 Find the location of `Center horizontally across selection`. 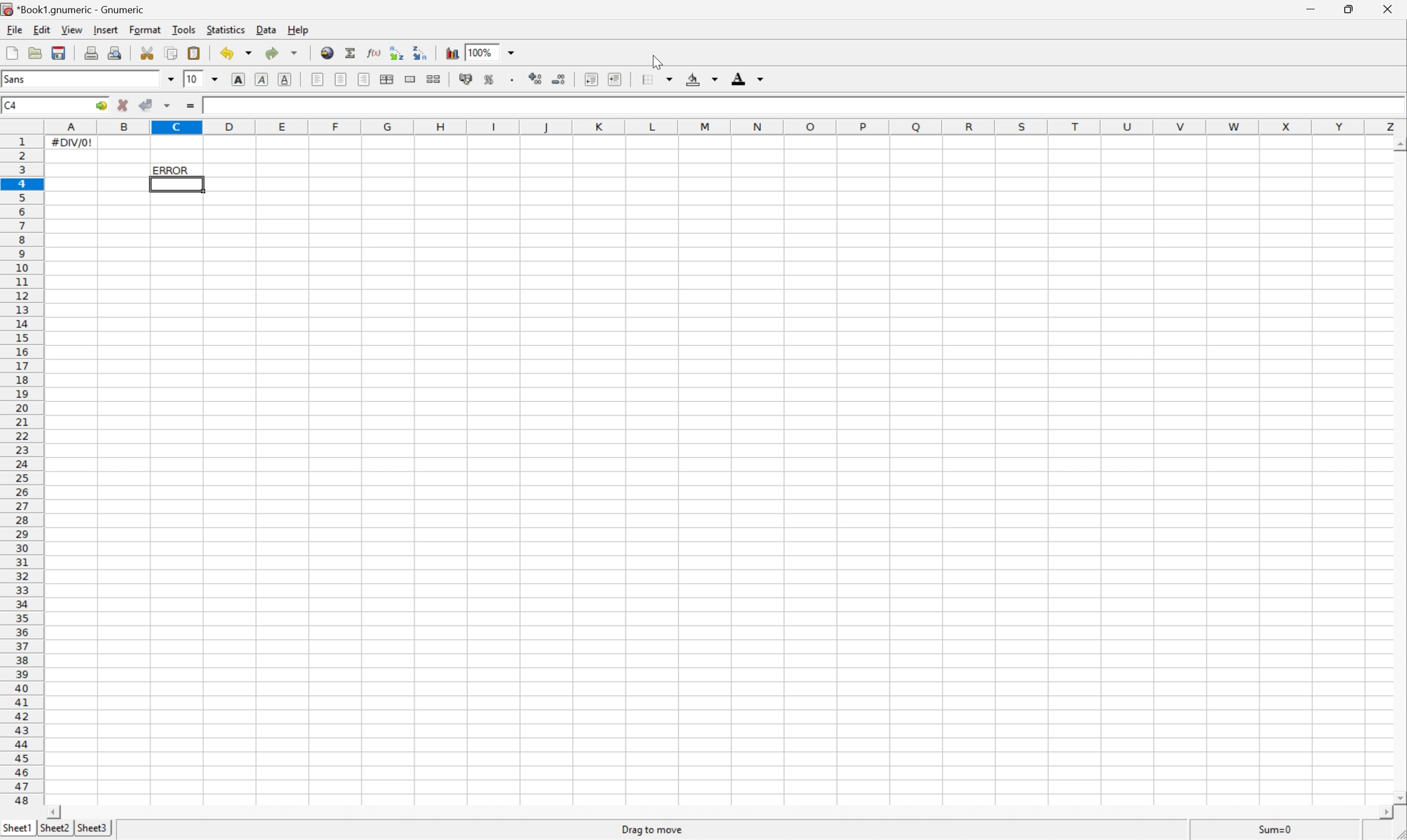

Center horizontally across selection is located at coordinates (388, 79).